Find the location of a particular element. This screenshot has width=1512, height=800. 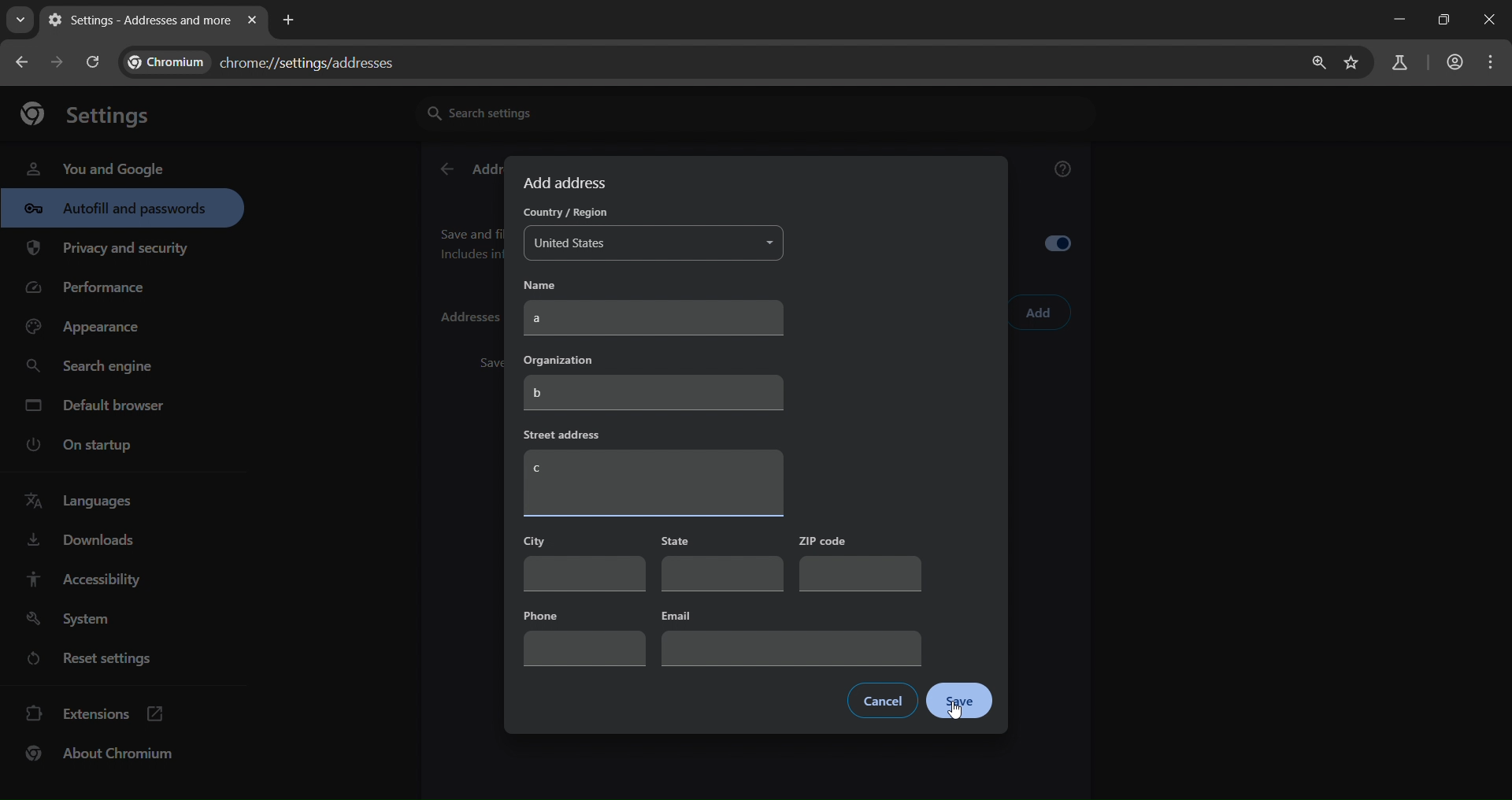

search settings is located at coordinates (563, 112).